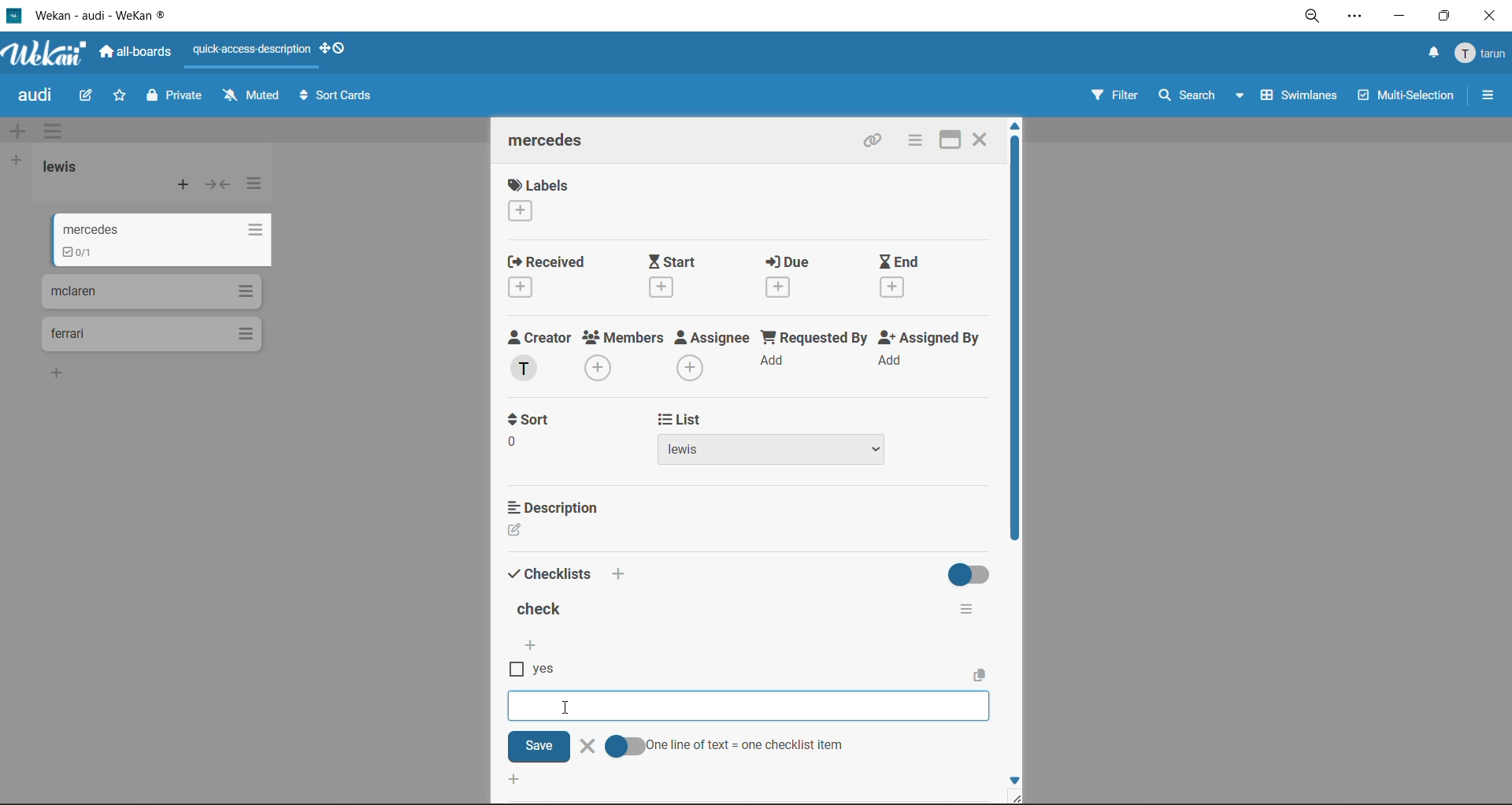  I want to click on cards, so click(150, 291).